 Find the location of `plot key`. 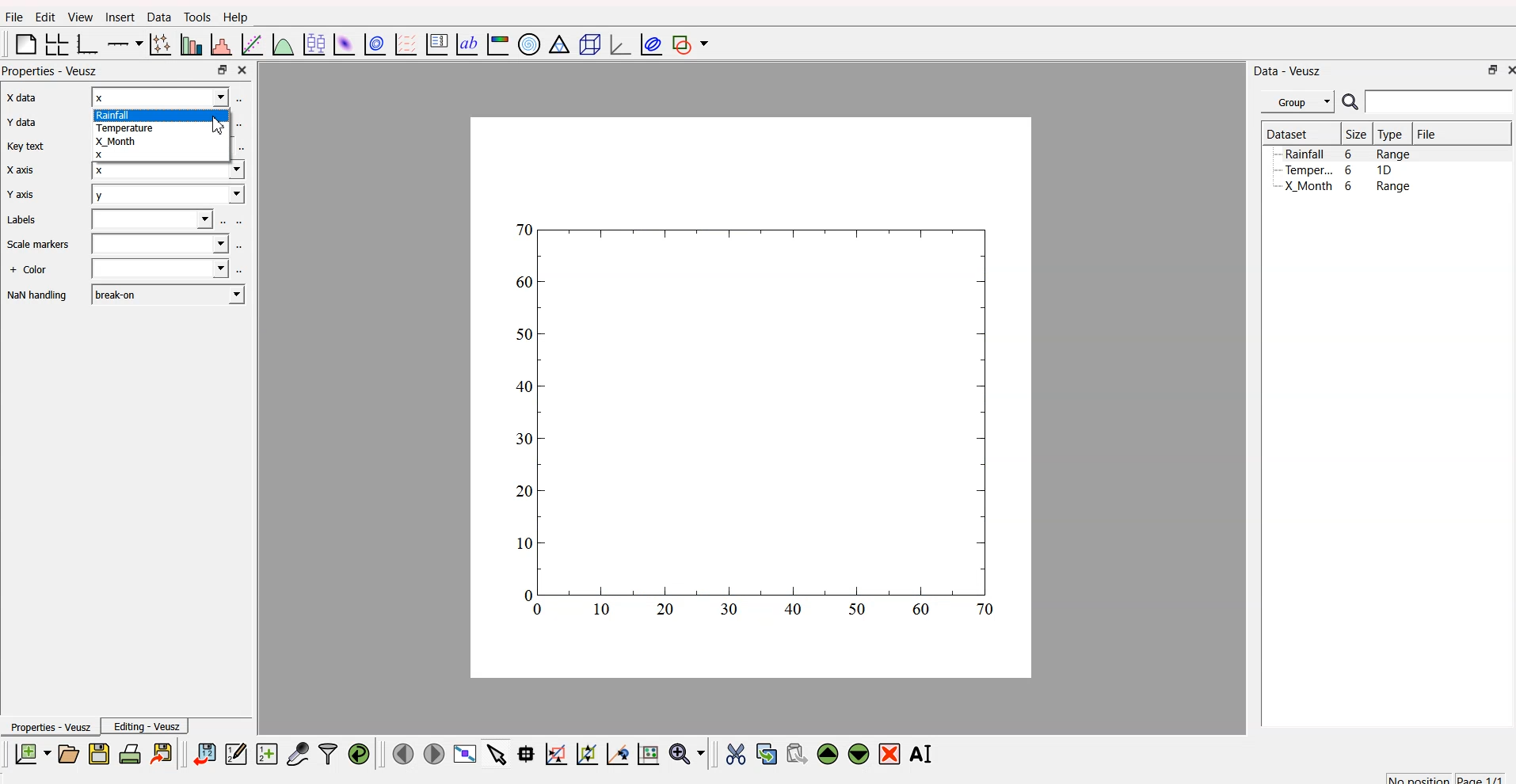

plot key is located at coordinates (436, 45).